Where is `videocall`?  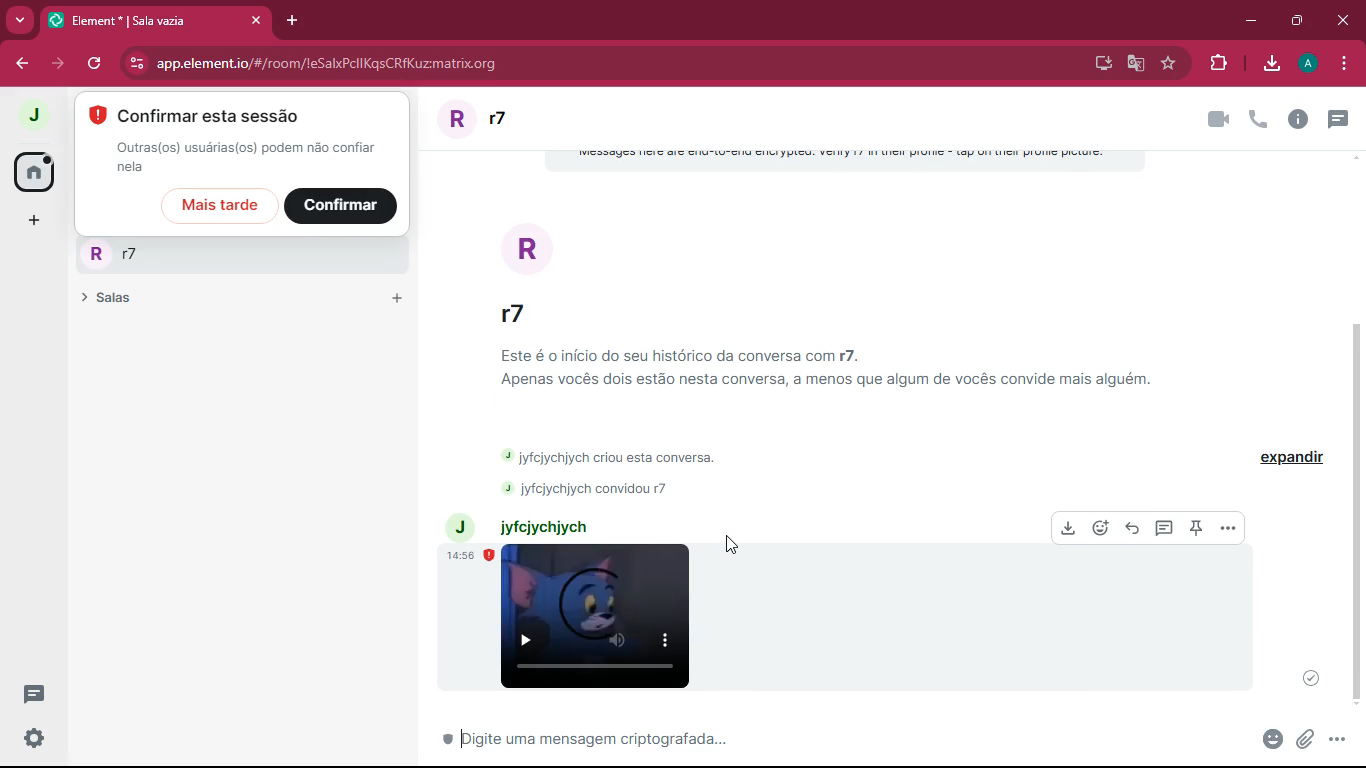 videocall is located at coordinates (1142, 118).